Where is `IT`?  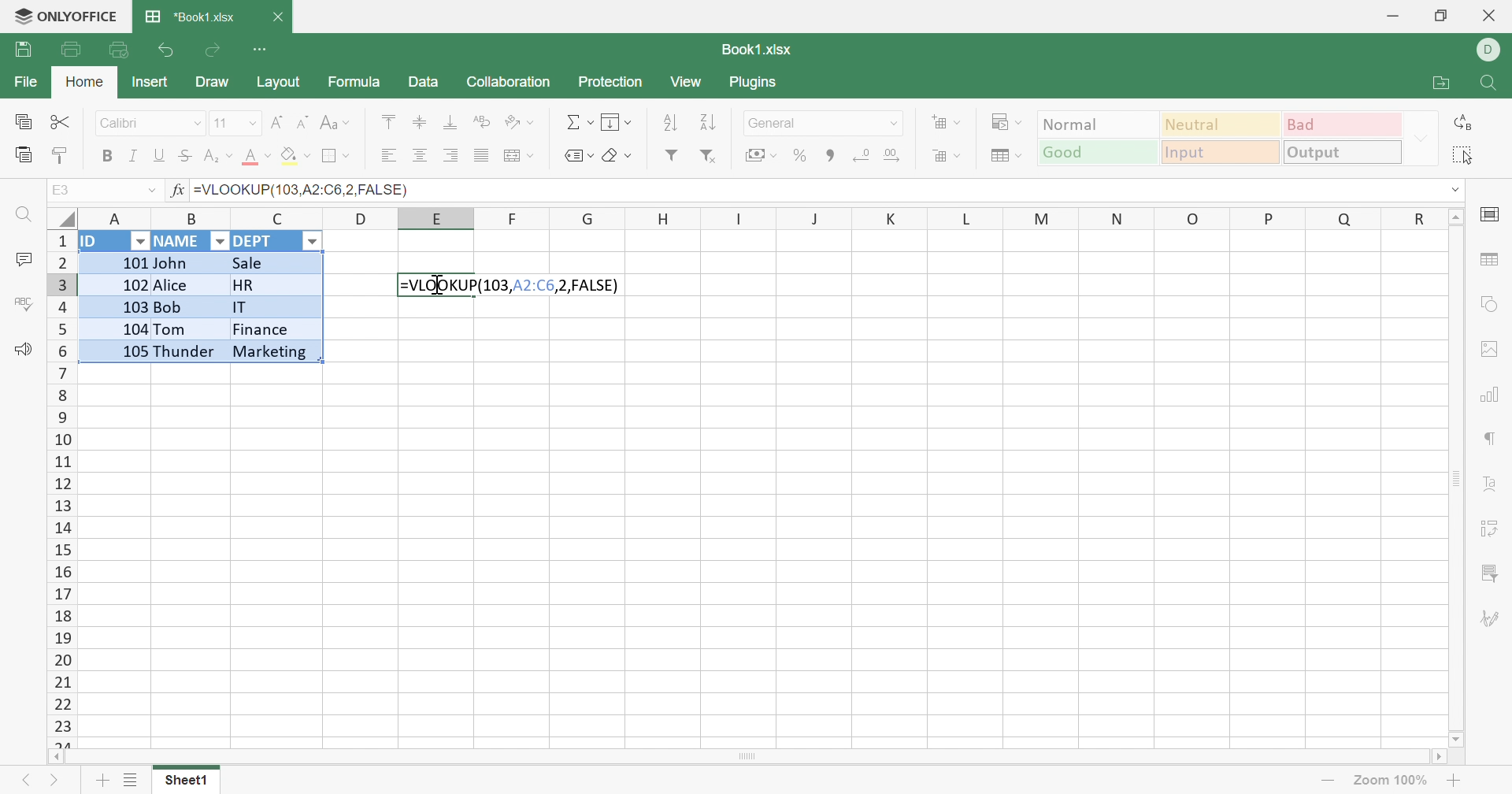 IT is located at coordinates (272, 308).